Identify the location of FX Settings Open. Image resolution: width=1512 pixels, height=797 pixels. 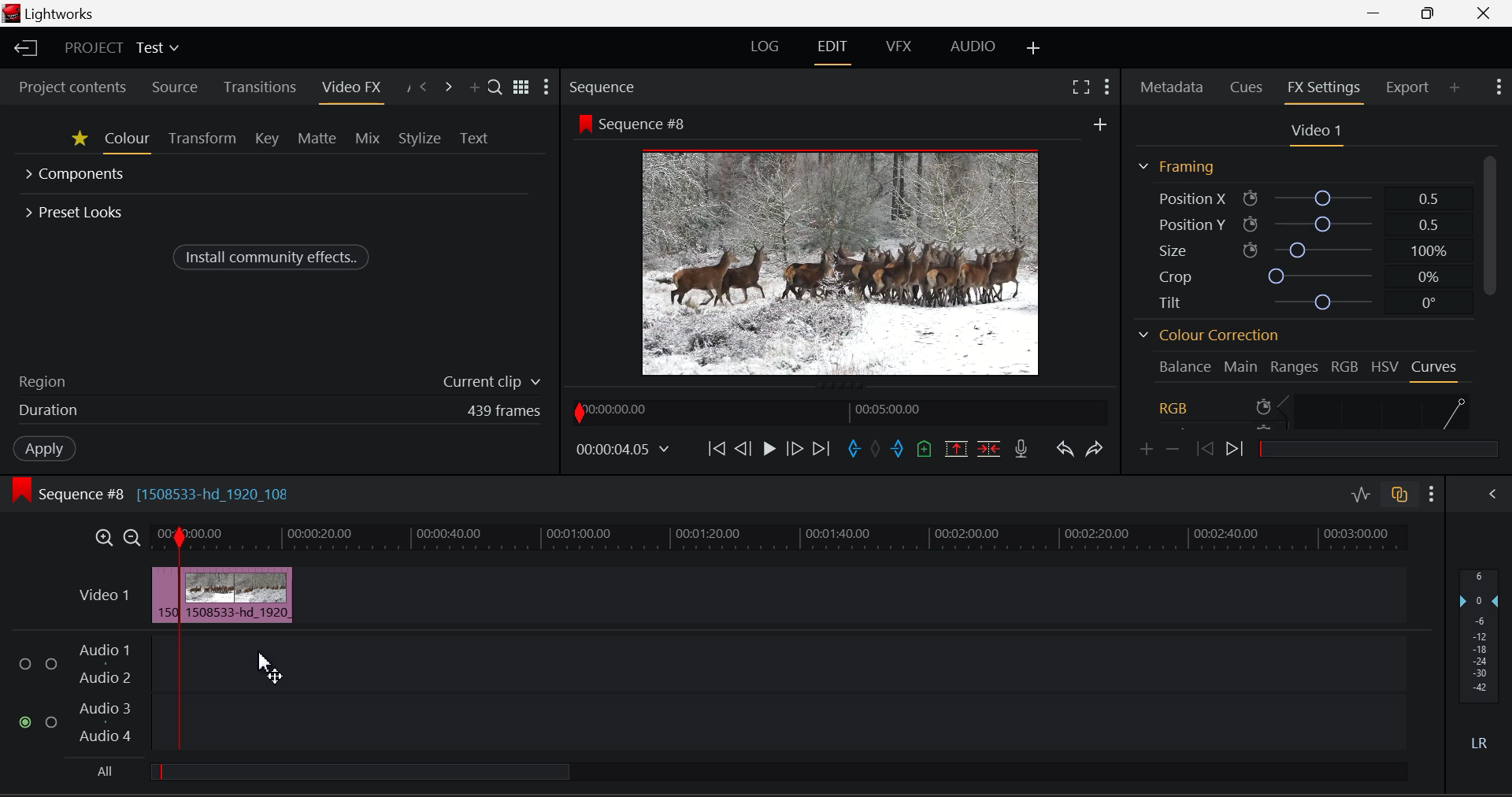
(1324, 89).